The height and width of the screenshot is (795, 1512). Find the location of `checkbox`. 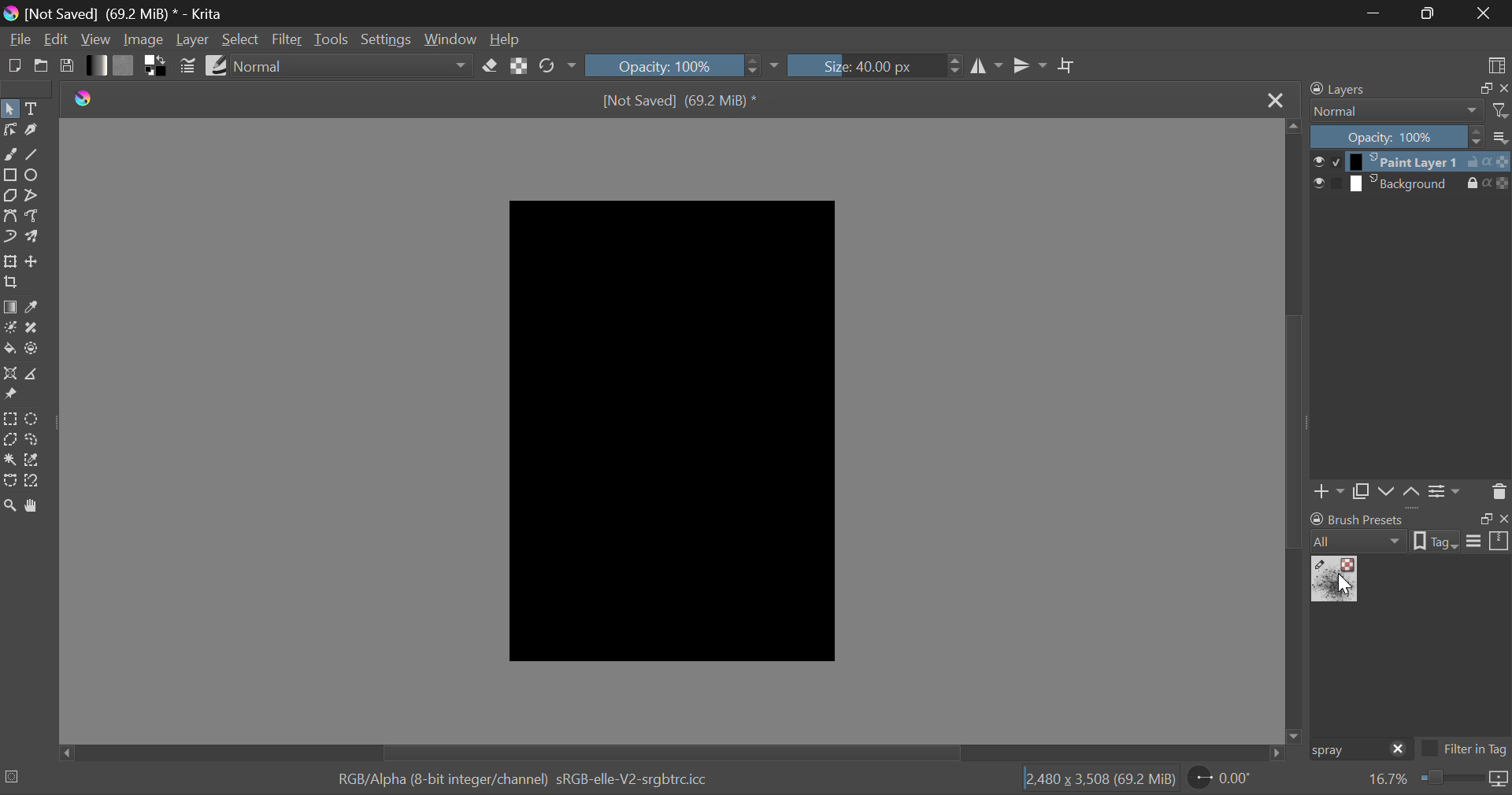

checkbox is located at coordinates (1326, 161).